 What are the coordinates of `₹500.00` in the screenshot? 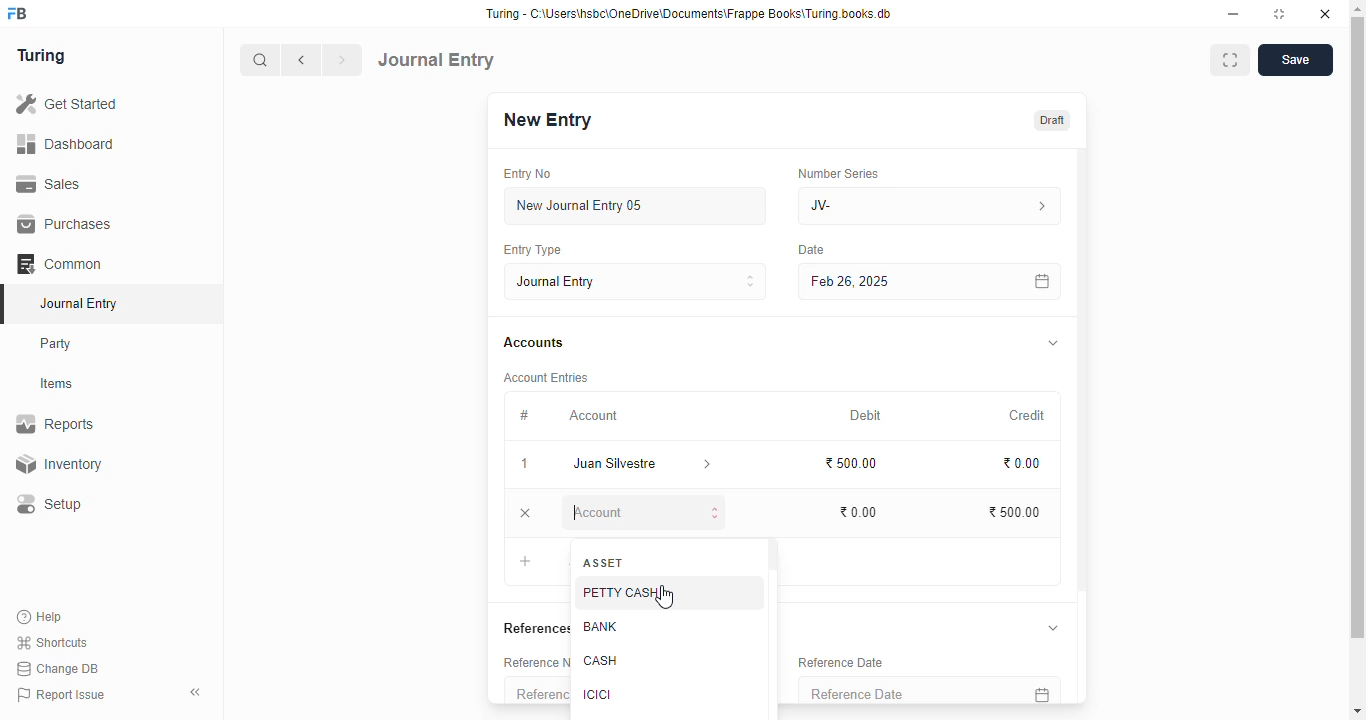 It's located at (851, 463).